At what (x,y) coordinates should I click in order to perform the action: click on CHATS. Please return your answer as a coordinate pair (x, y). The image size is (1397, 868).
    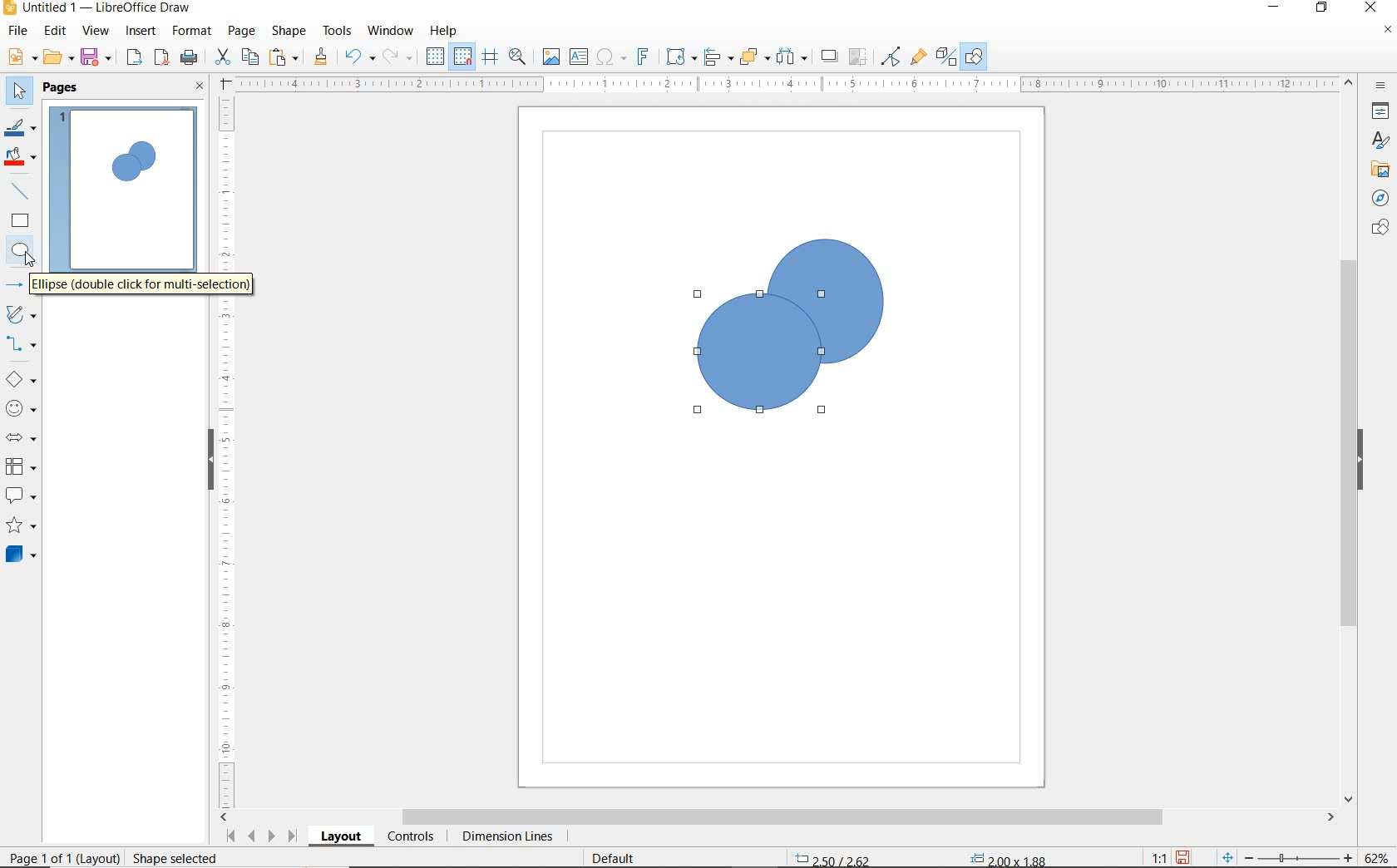
    Looking at the image, I should click on (1377, 235).